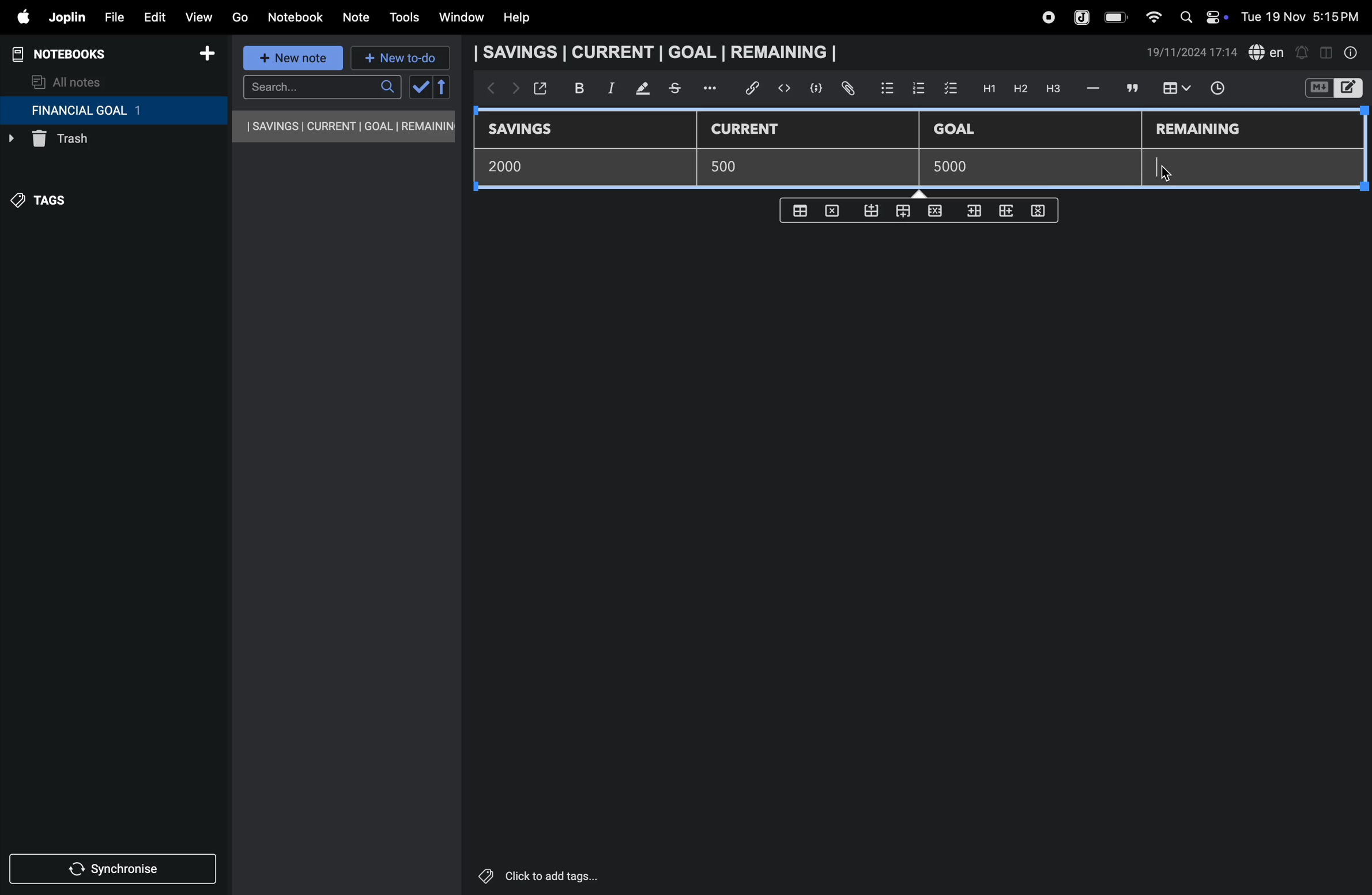 This screenshot has width=1372, height=895. I want to click on time, so click(1225, 89).